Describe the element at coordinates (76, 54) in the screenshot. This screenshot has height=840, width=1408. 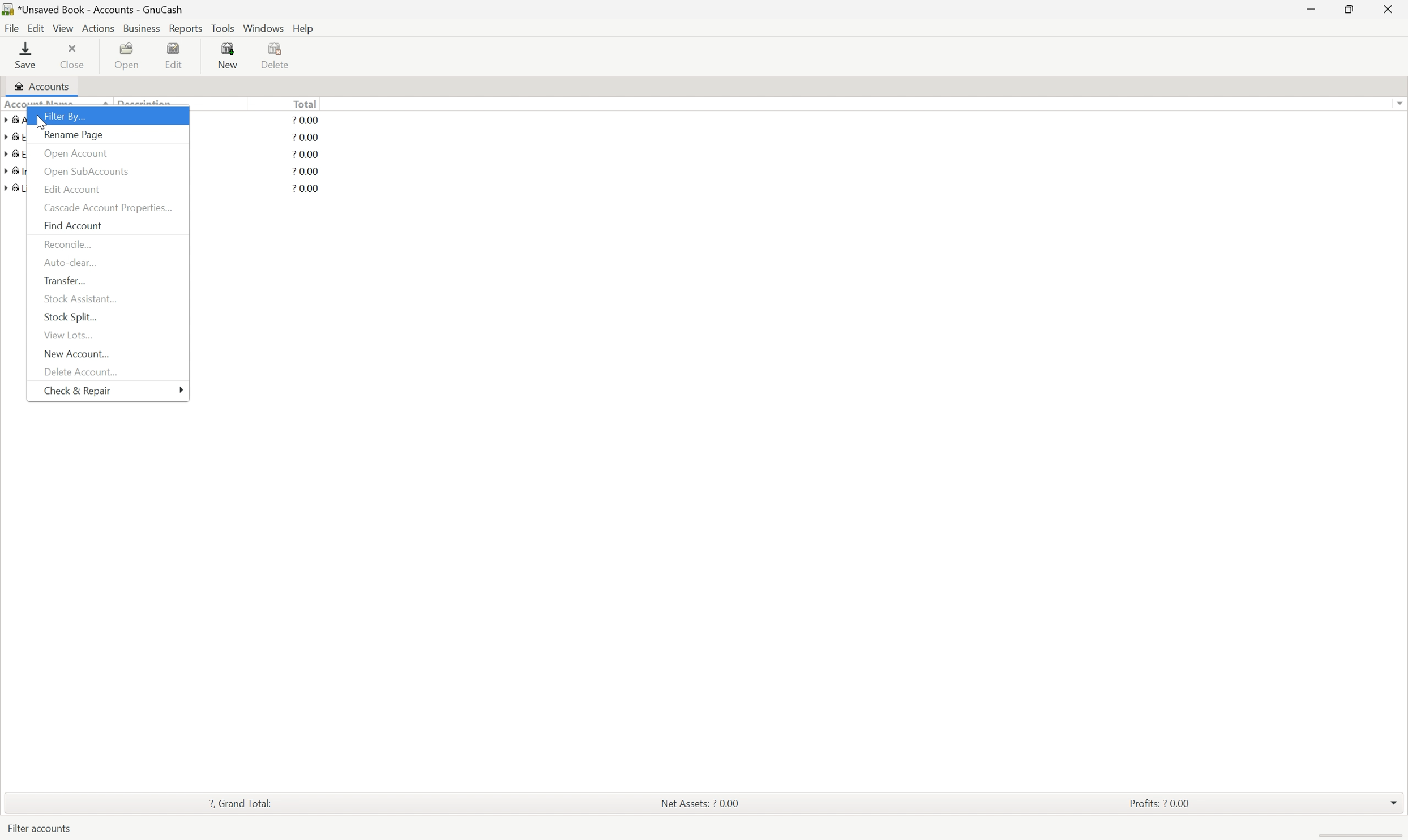
I see `Close` at that location.